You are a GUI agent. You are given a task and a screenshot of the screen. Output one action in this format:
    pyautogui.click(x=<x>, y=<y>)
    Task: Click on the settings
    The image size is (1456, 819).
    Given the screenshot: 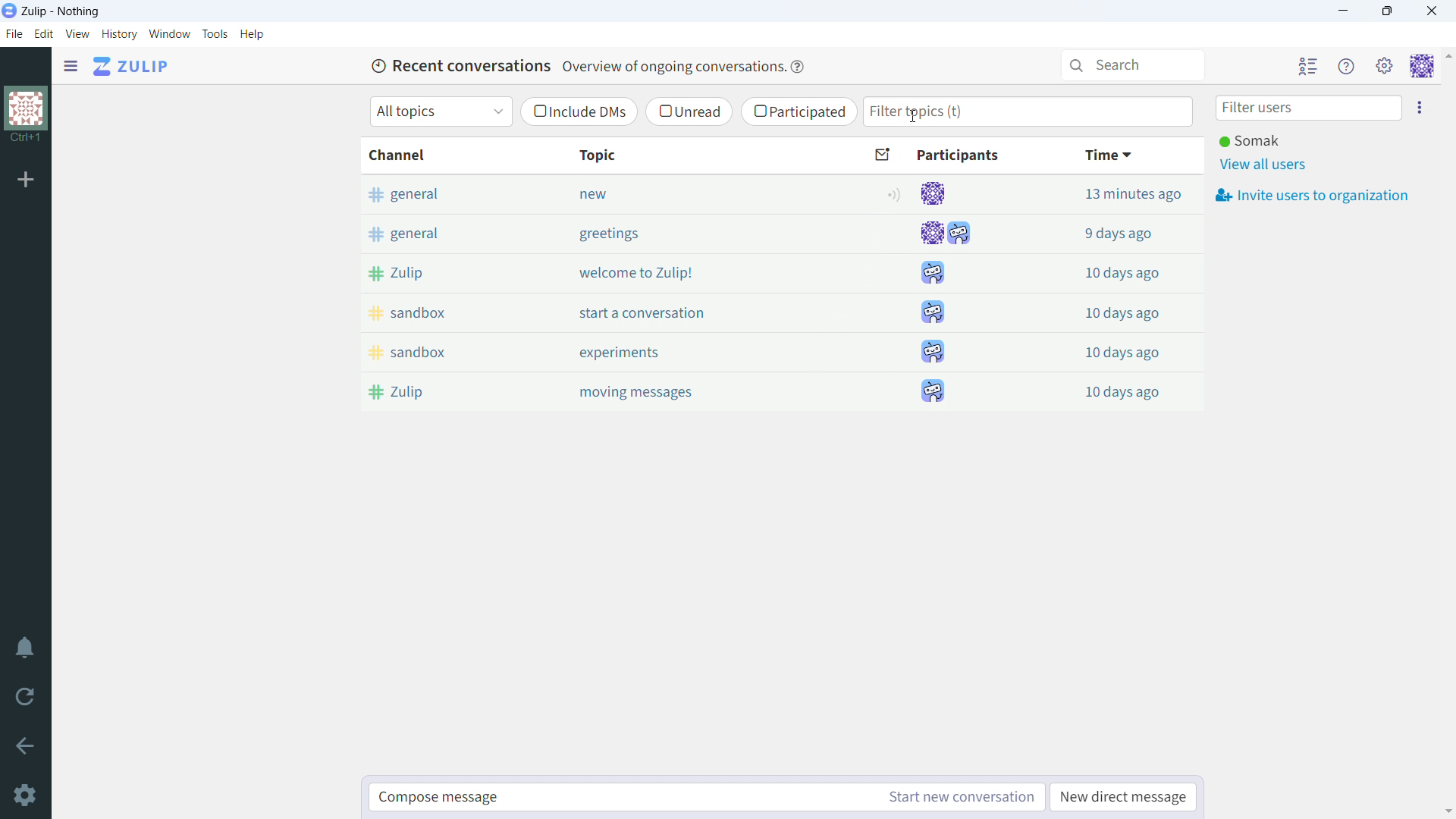 What is the action you would take?
    pyautogui.click(x=25, y=796)
    